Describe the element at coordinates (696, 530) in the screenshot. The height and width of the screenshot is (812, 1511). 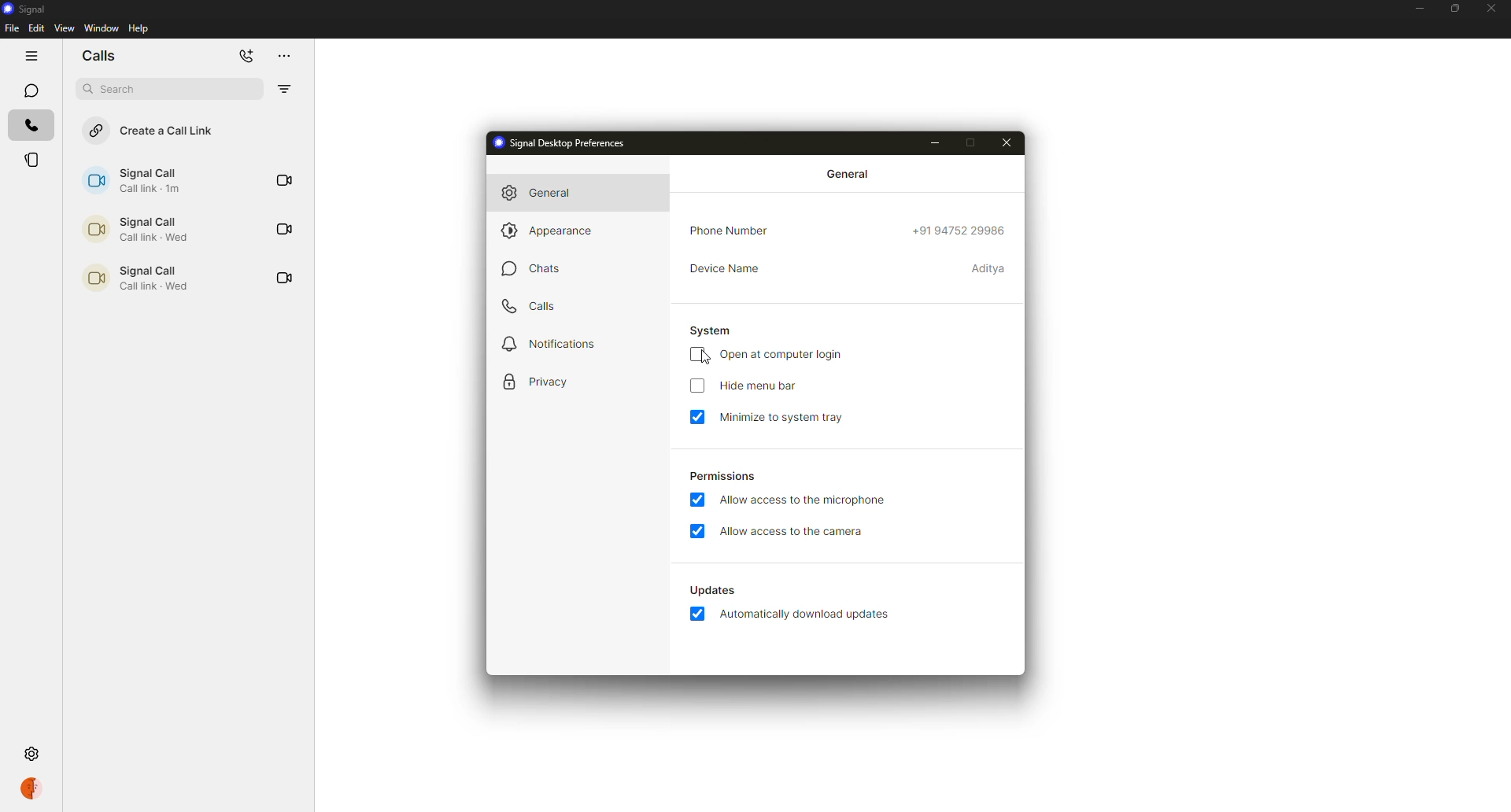
I see `enabled` at that location.